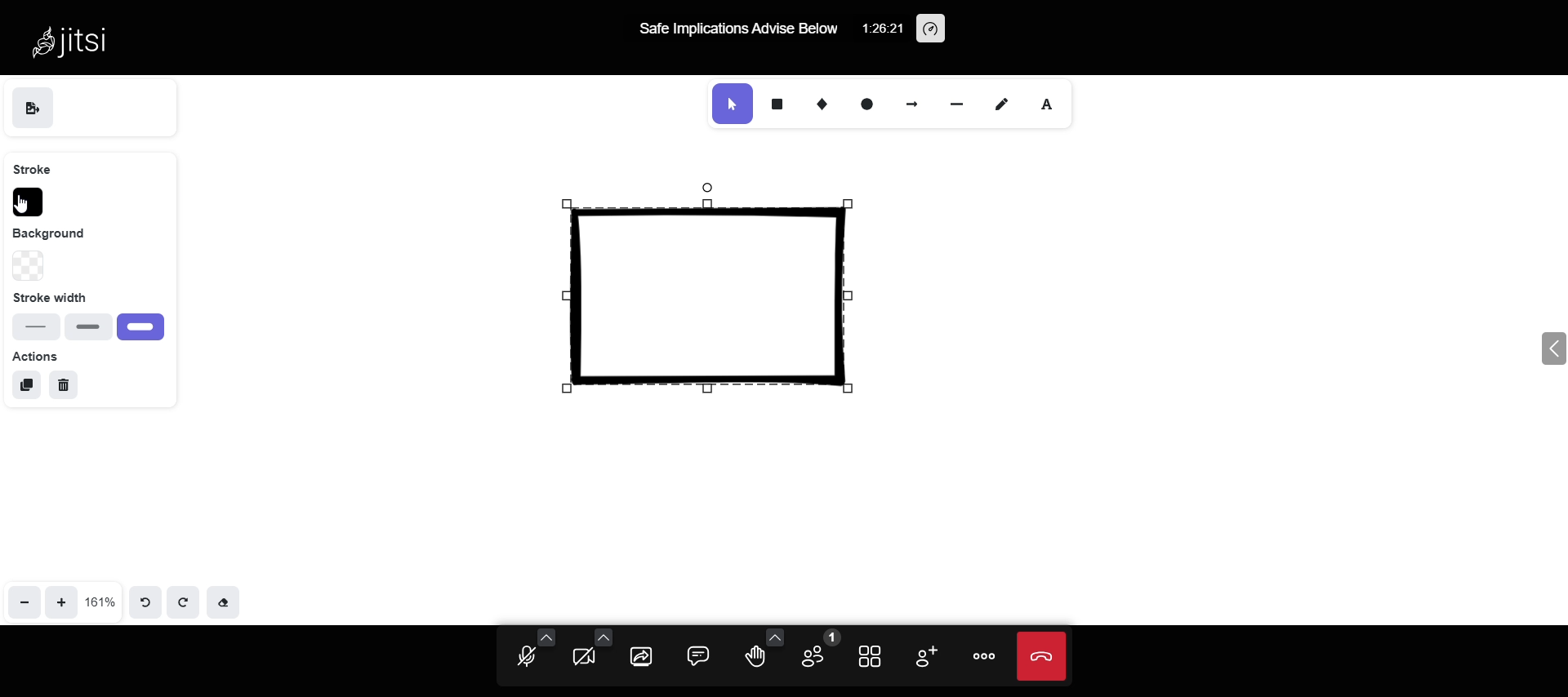 This screenshot has height=697, width=1568. I want to click on audio setting, so click(544, 635).